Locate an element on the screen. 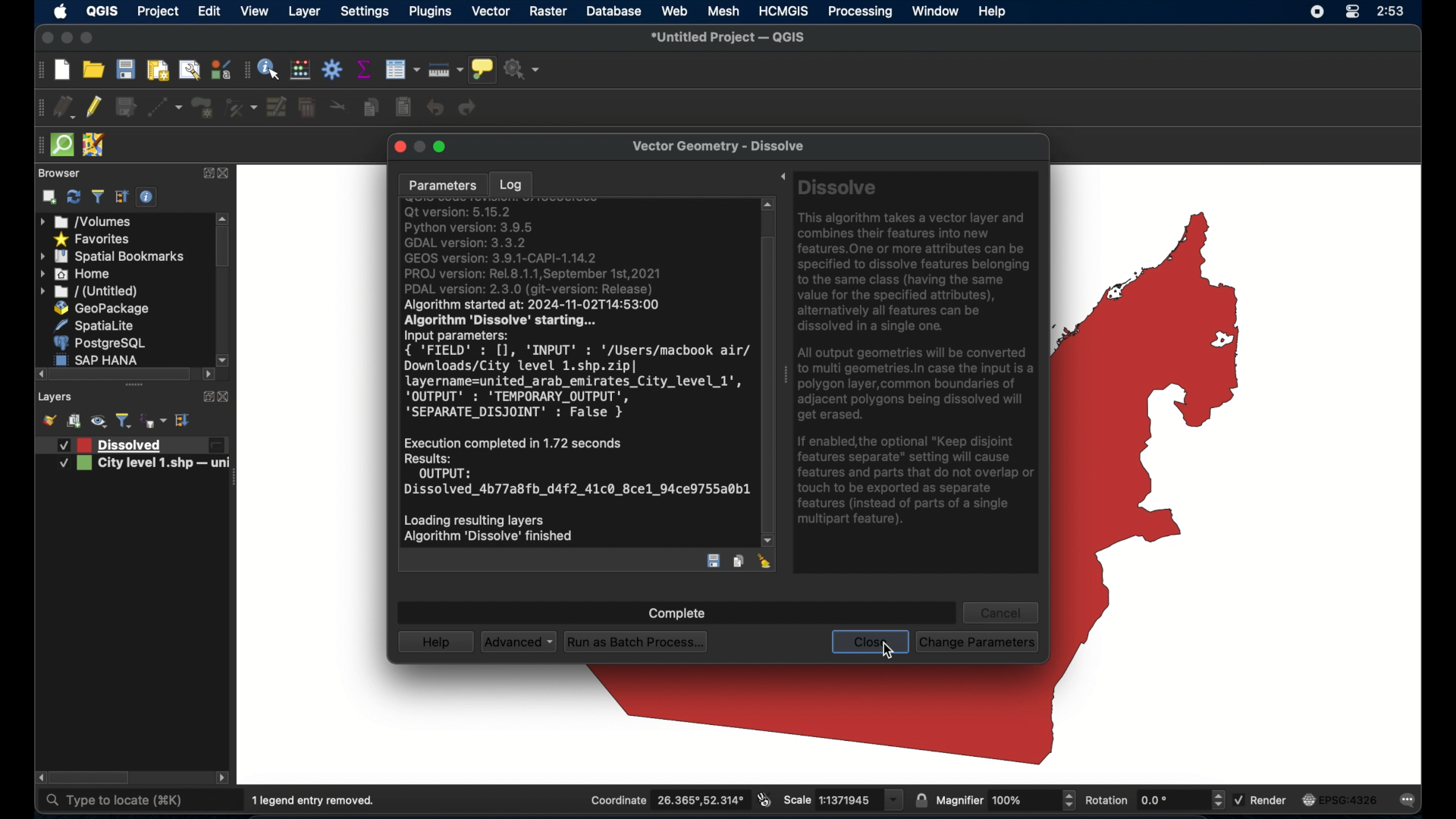  favorites is located at coordinates (93, 240).